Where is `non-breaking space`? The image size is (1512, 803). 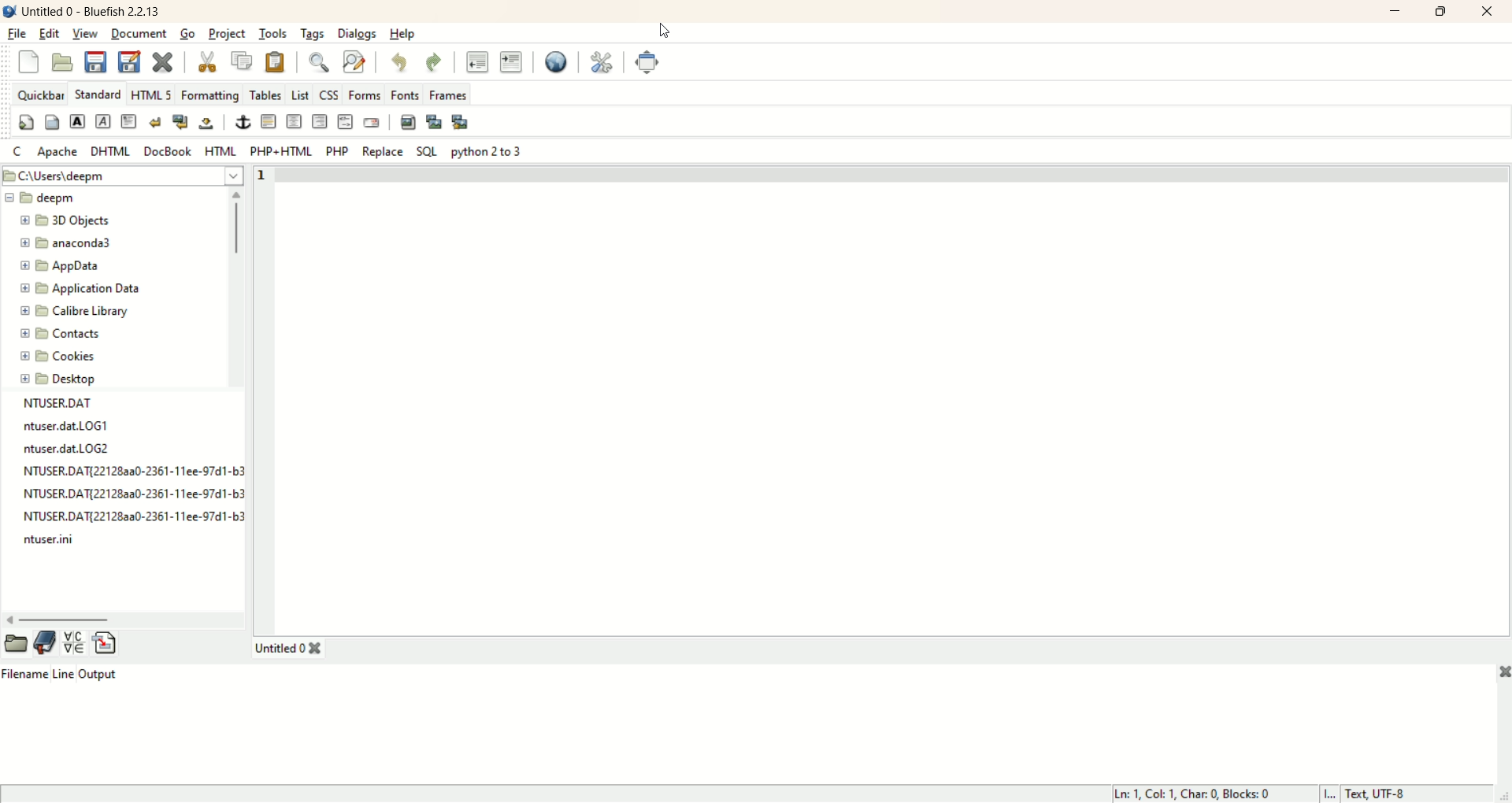 non-breaking space is located at coordinates (209, 124).